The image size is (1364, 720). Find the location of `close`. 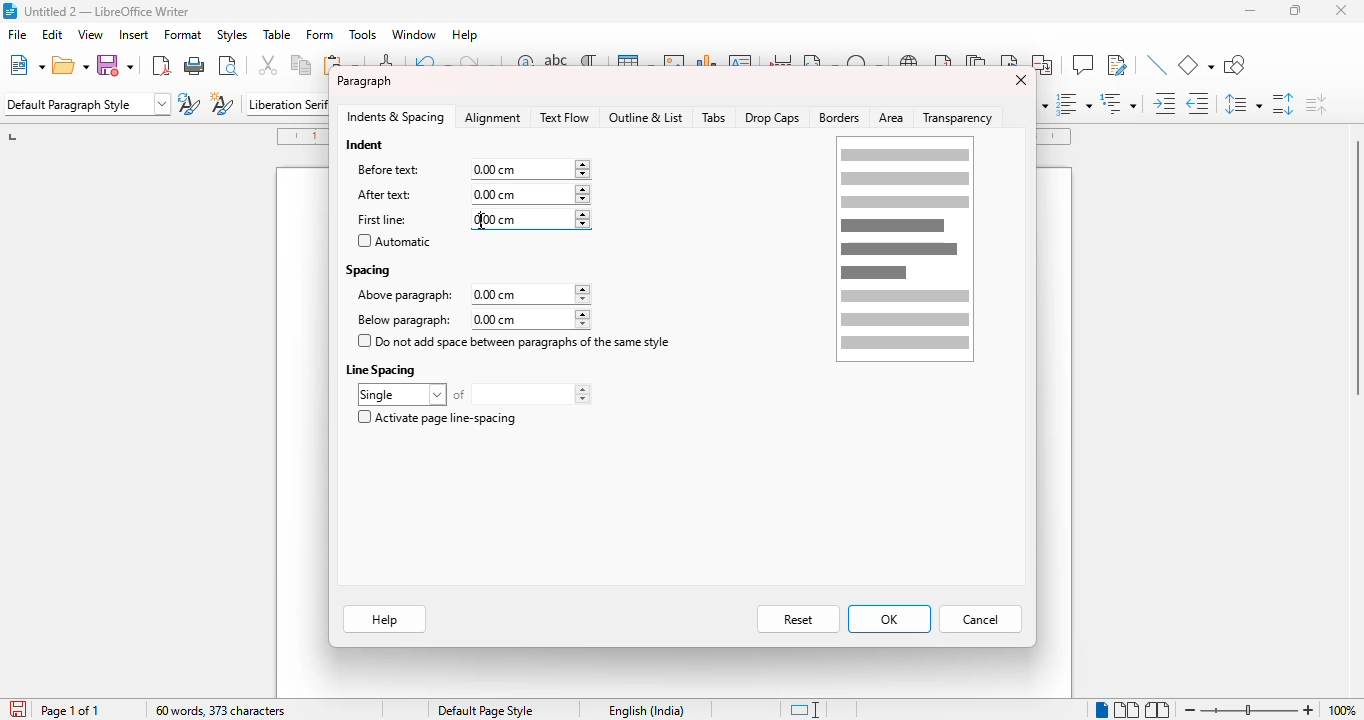

close is located at coordinates (1019, 80).